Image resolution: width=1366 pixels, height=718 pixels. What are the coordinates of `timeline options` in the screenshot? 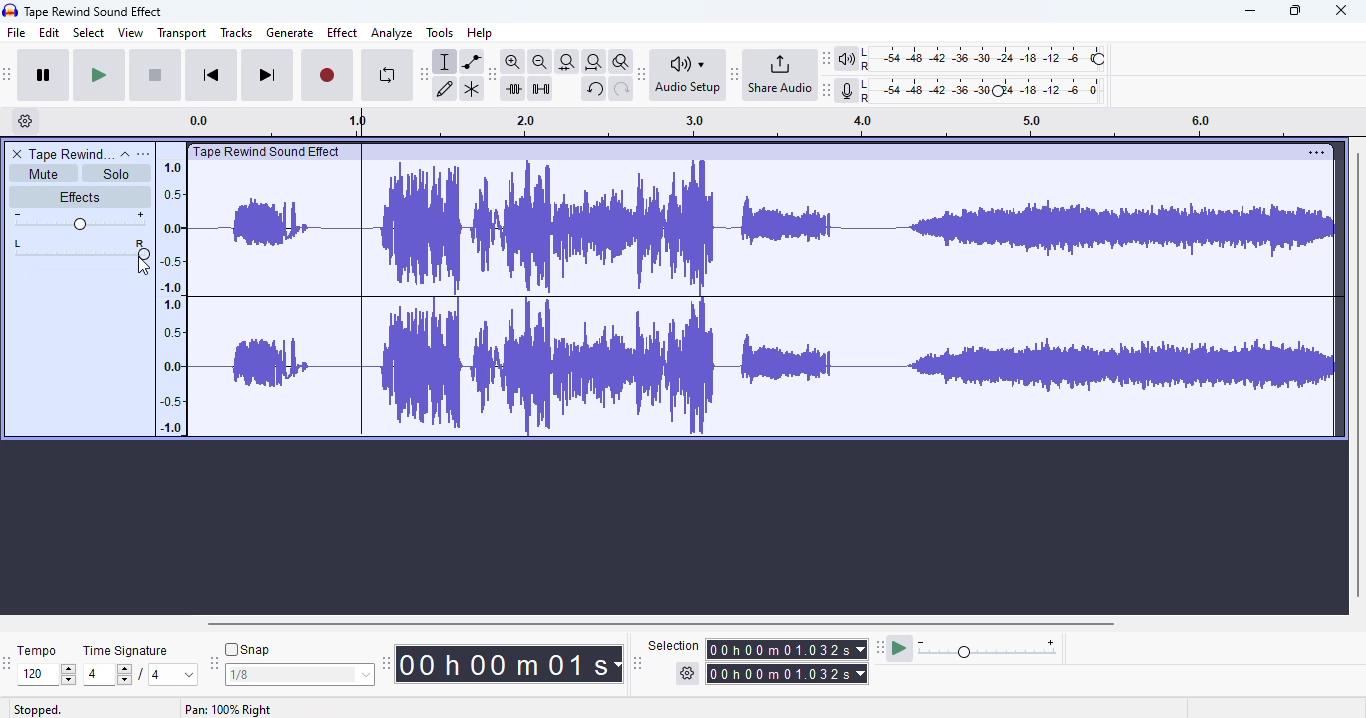 It's located at (26, 120).